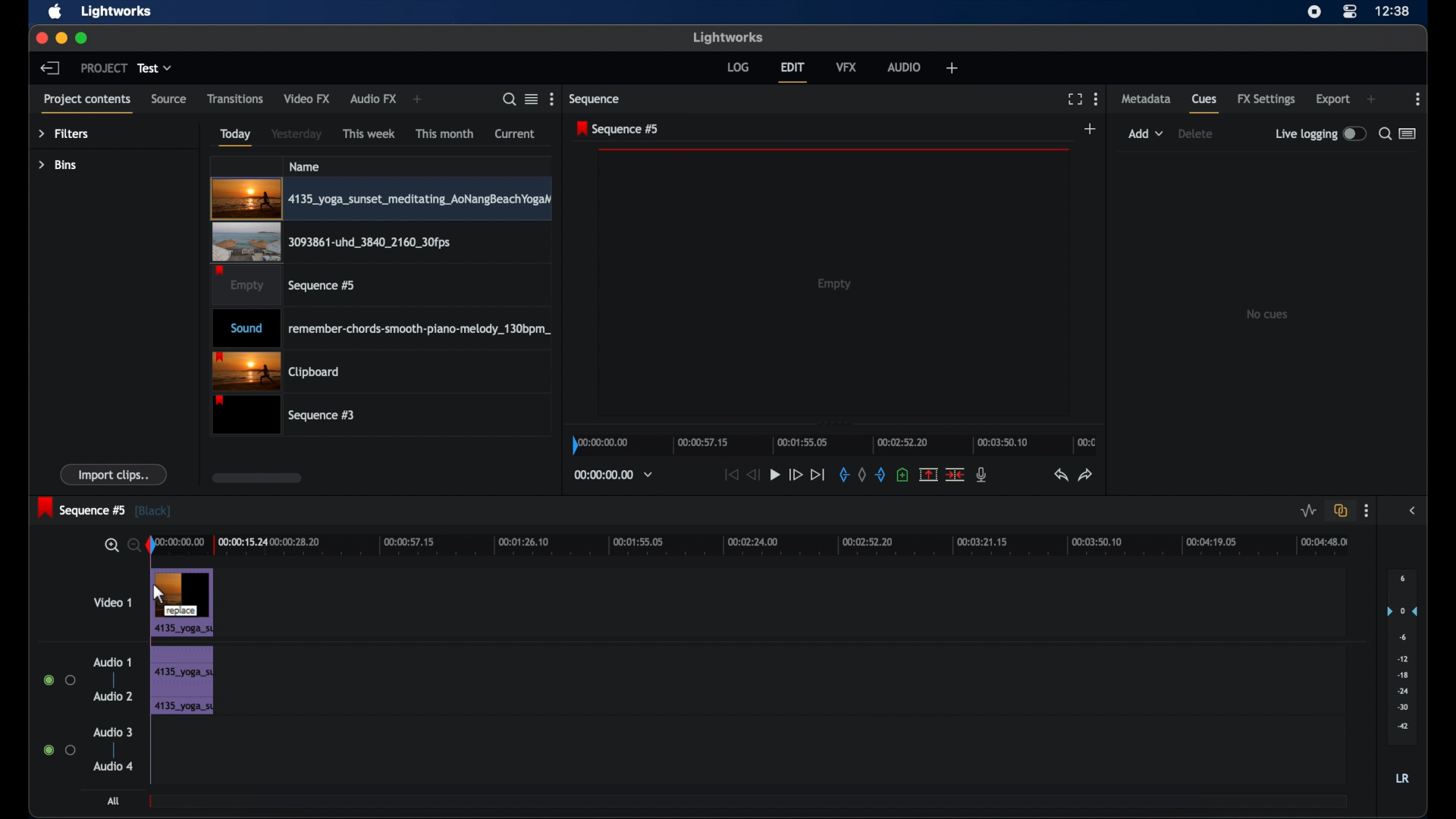 The width and height of the screenshot is (1456, 819). What do you see at coordinates (1402, 652) in the screenshot?
I see `audio output level` at bounding box center [1402, 652].